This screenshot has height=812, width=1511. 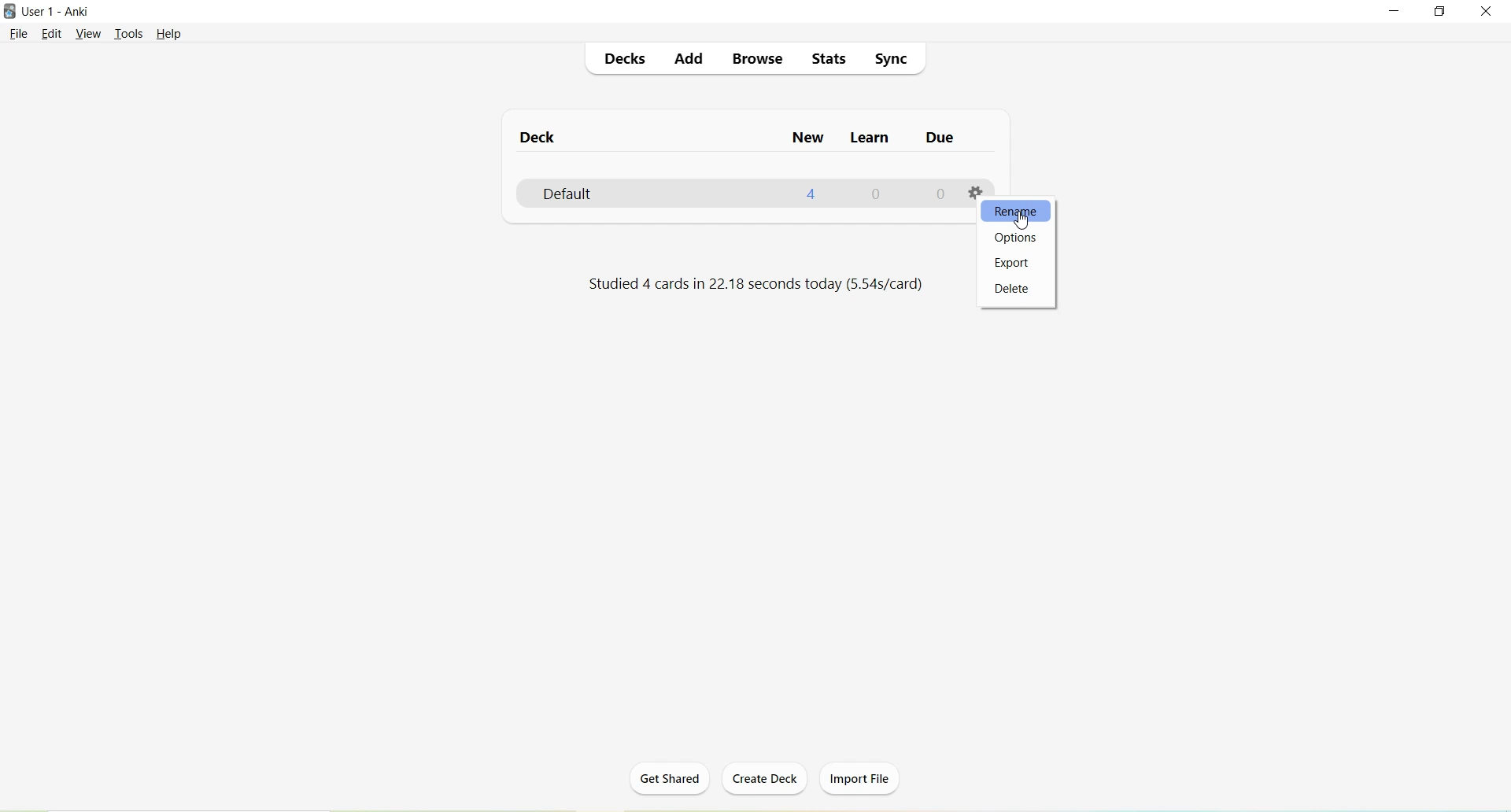 I want to click on Close, so click(x=1489, y=13).